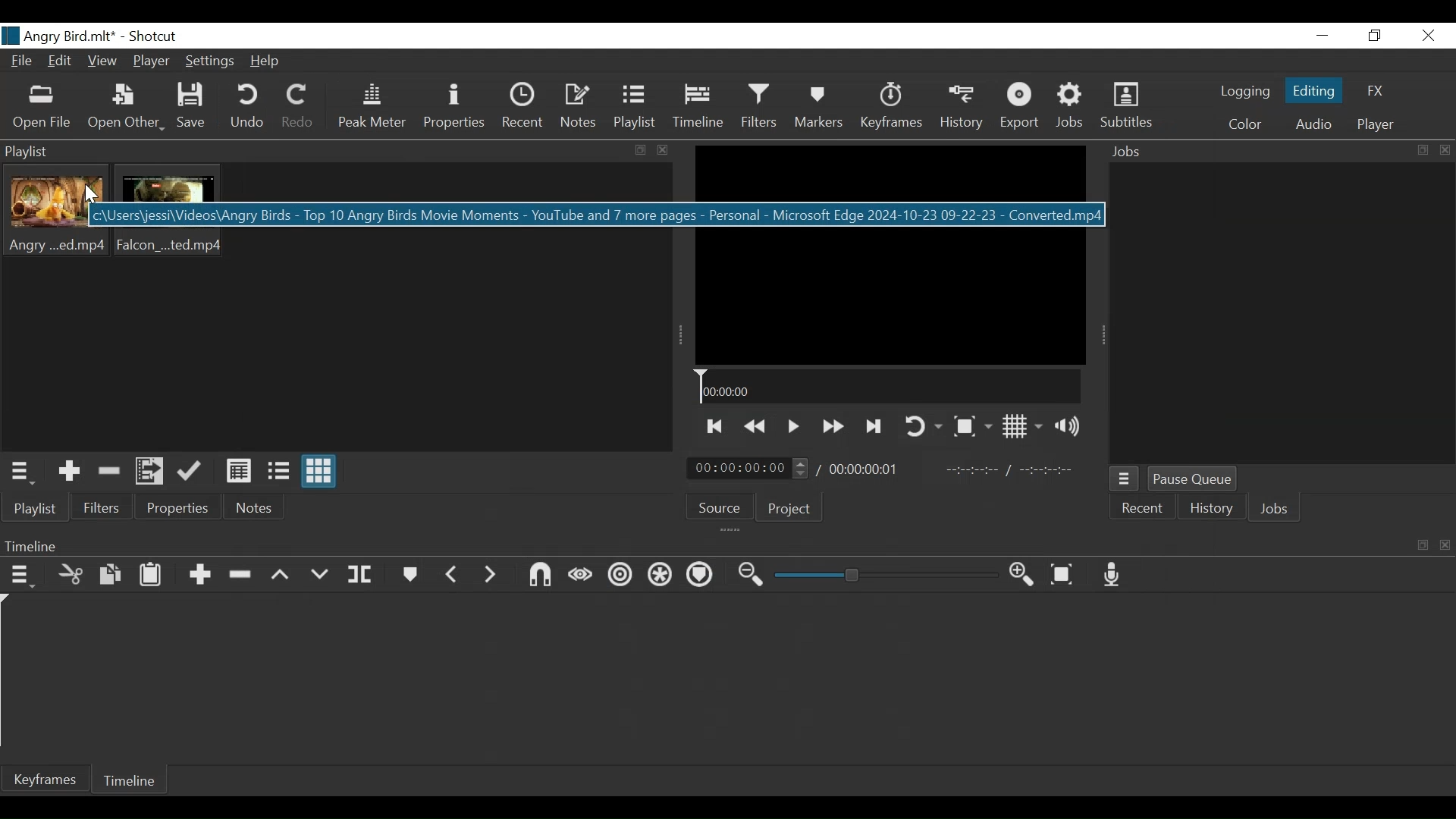 The image size is (1456, 819). Describe the element at coordinates (1071, 425) in the screenshot. I see `Show volume control` at that location.